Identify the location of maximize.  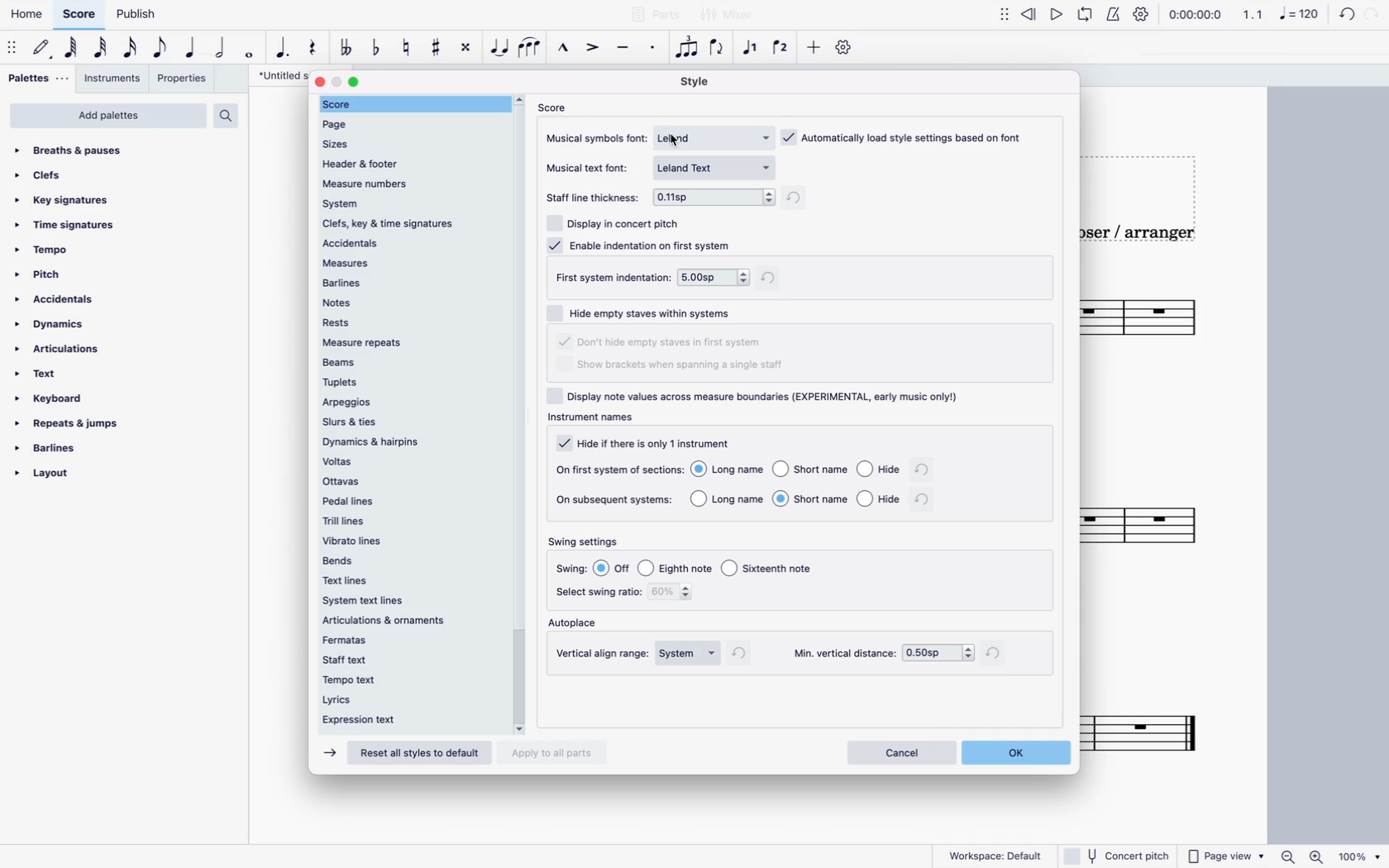
(354, 82).